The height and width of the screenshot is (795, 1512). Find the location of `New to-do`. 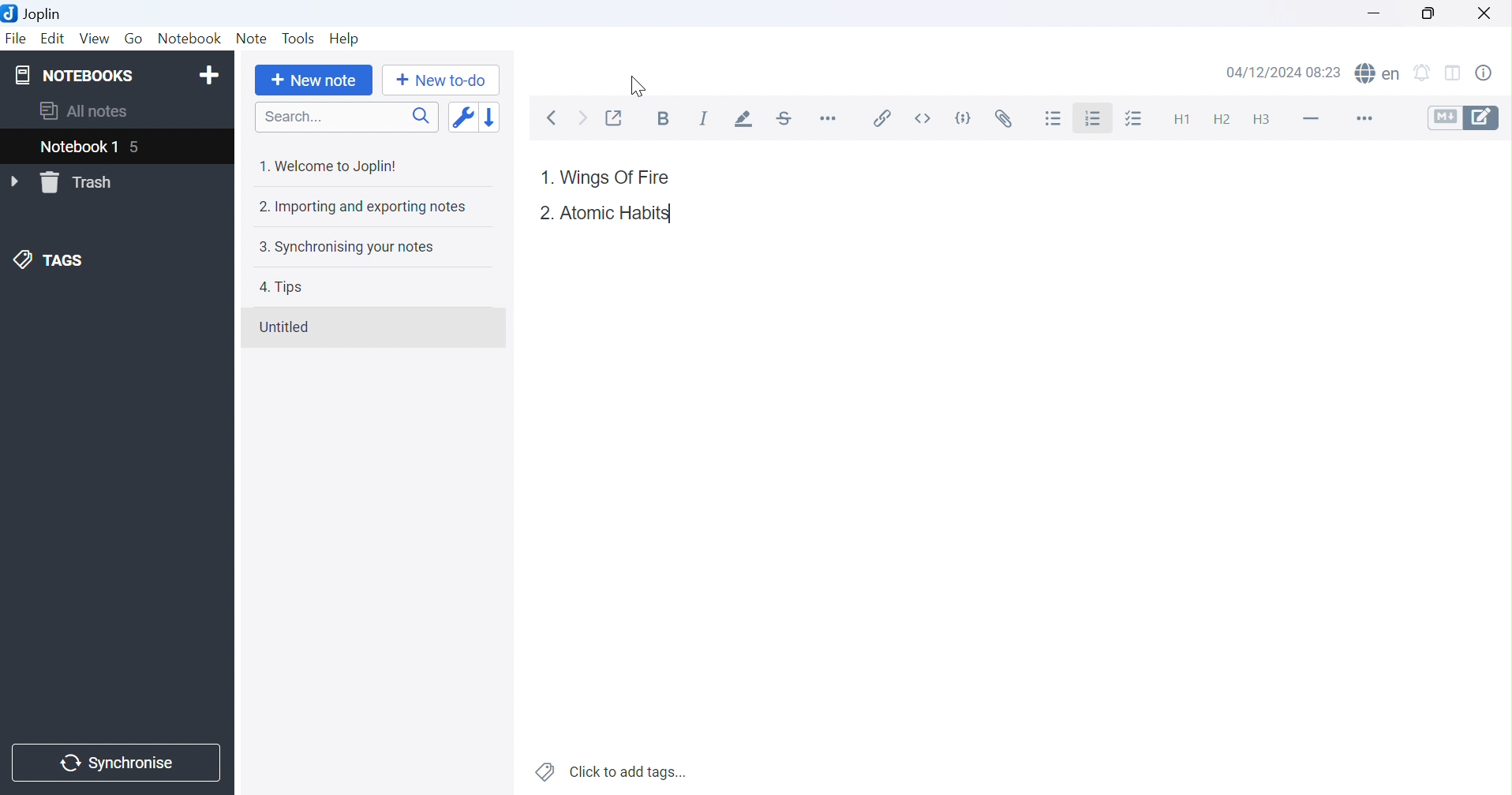

New to-do is located at coordinates (439, 80).